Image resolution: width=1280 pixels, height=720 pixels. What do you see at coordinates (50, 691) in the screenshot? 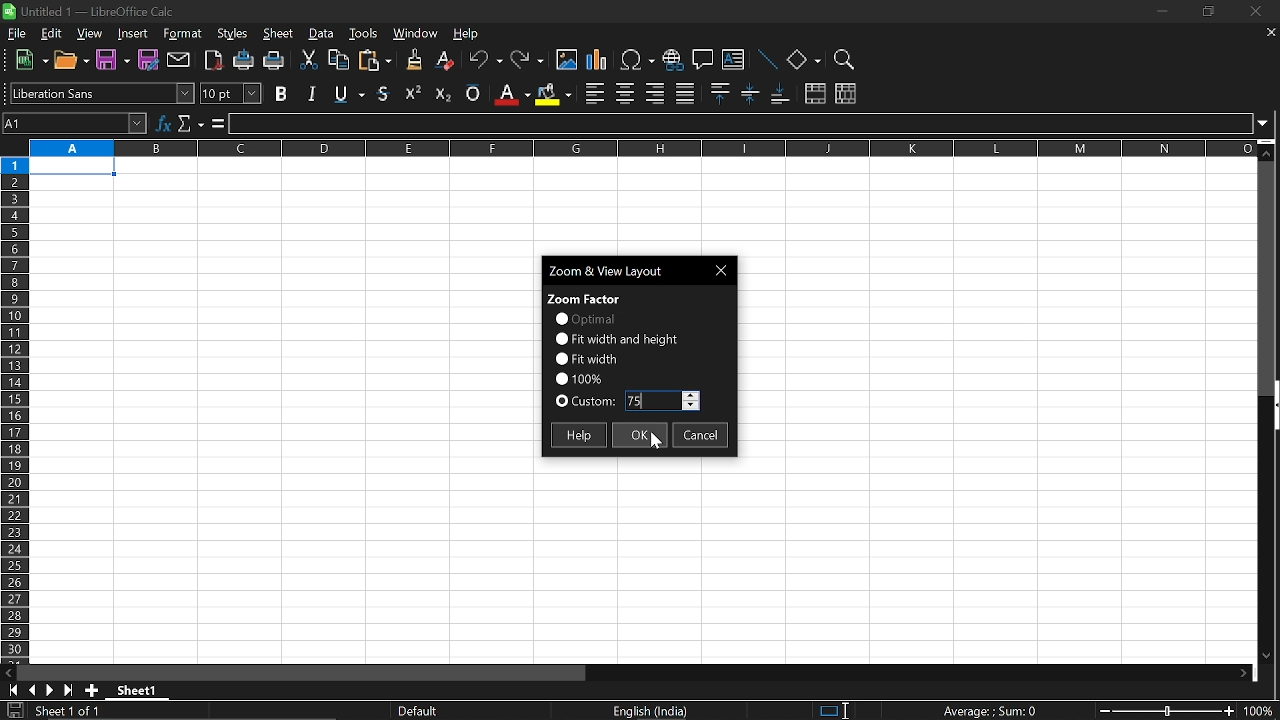
I see `next page` at bounding box center [50, 691].